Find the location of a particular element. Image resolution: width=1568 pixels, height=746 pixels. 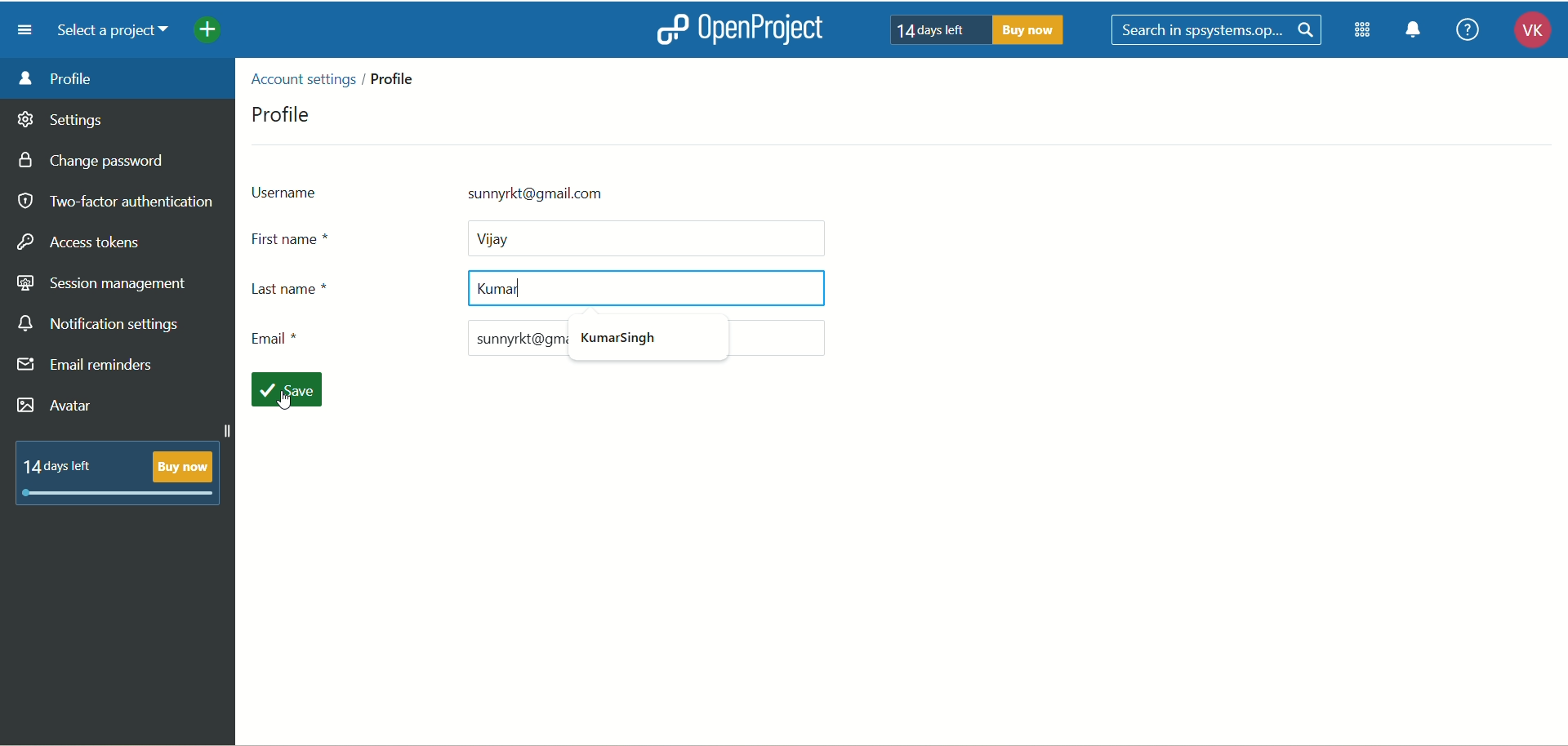

change password is located at coordinates (97, 162).